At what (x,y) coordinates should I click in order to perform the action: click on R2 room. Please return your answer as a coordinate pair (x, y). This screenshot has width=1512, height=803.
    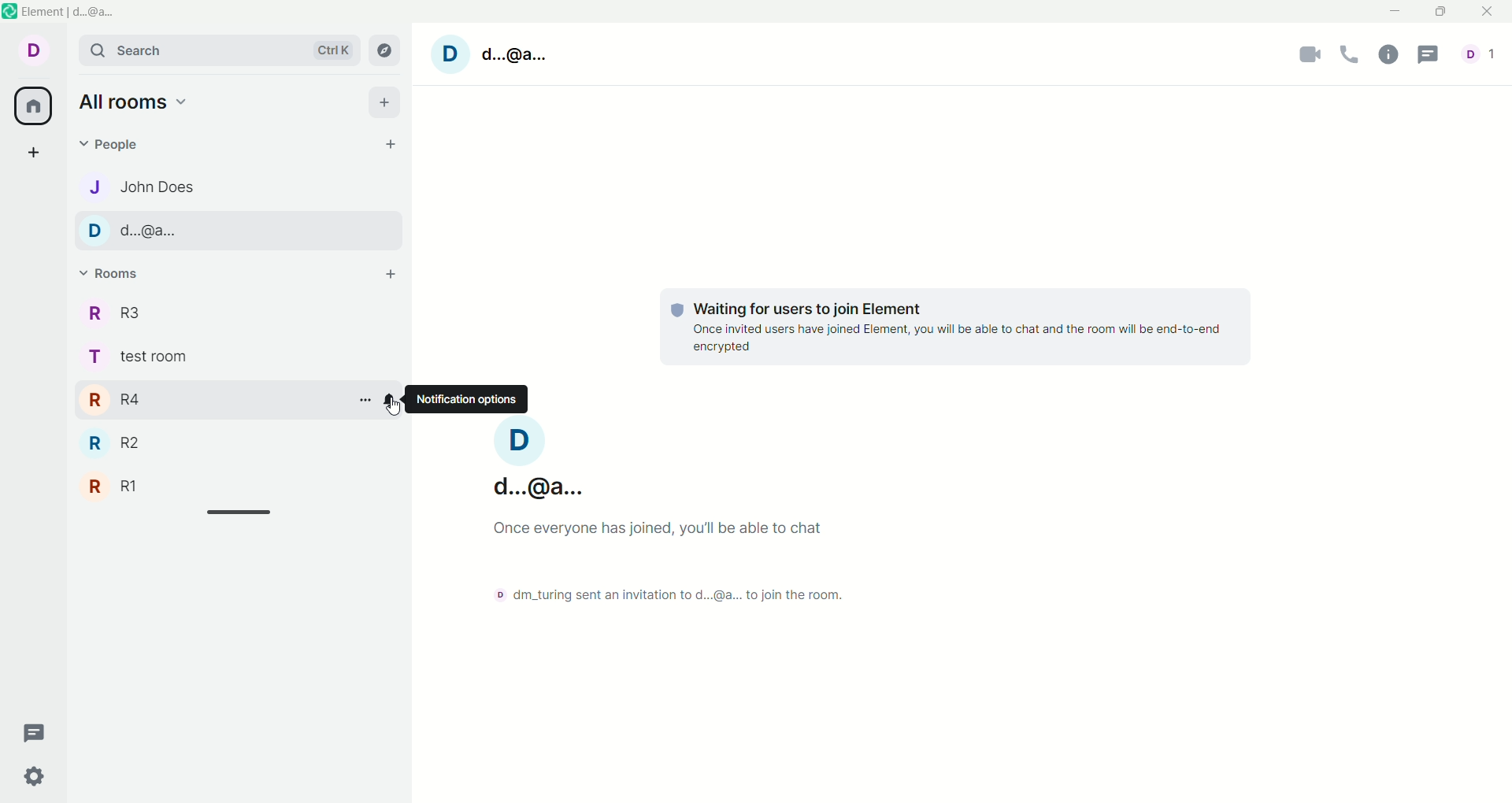
    Looking at the image, I should click on (238, 442).